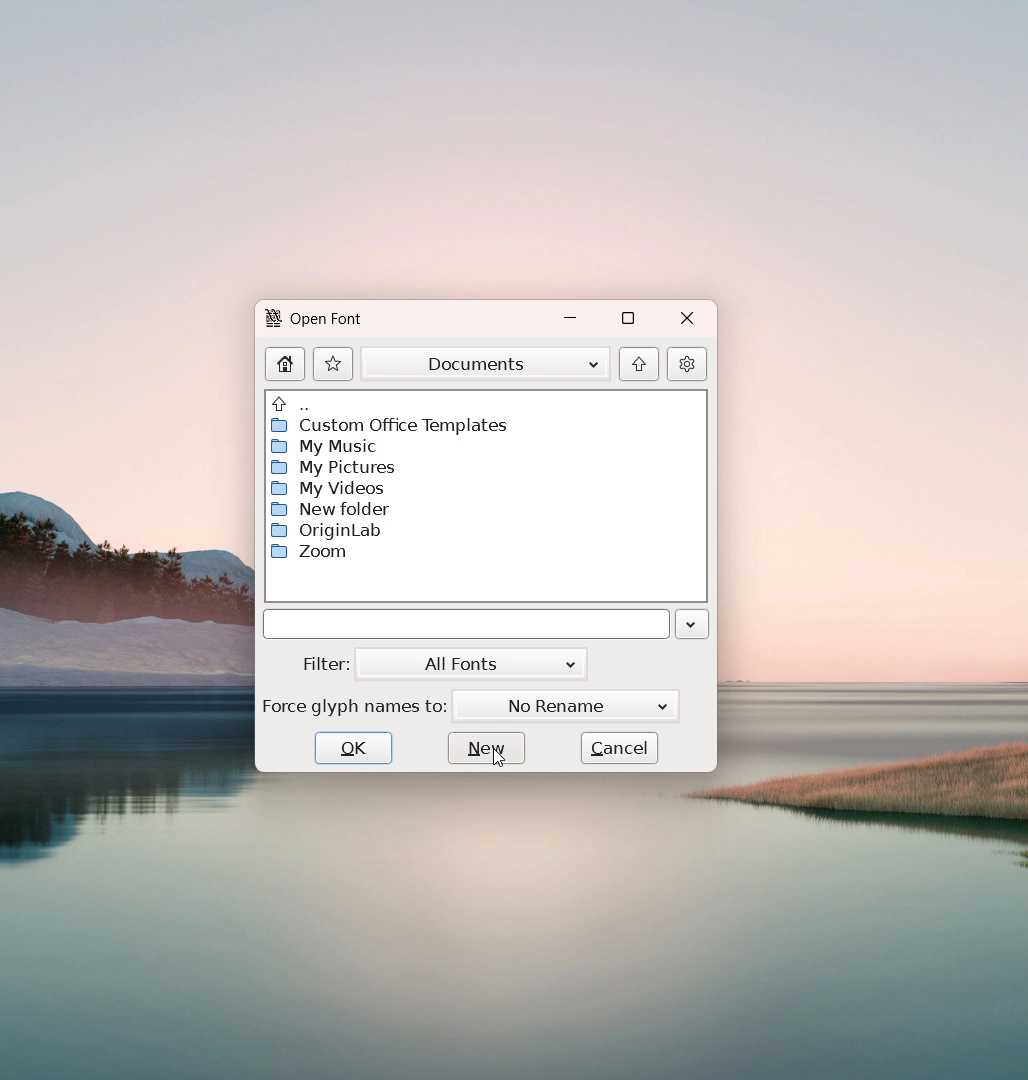 The width and height of the screenshot is (1028, 1080). Describe the element at coordinates (687, 363) in the screenshot. I see `settings` at that location.